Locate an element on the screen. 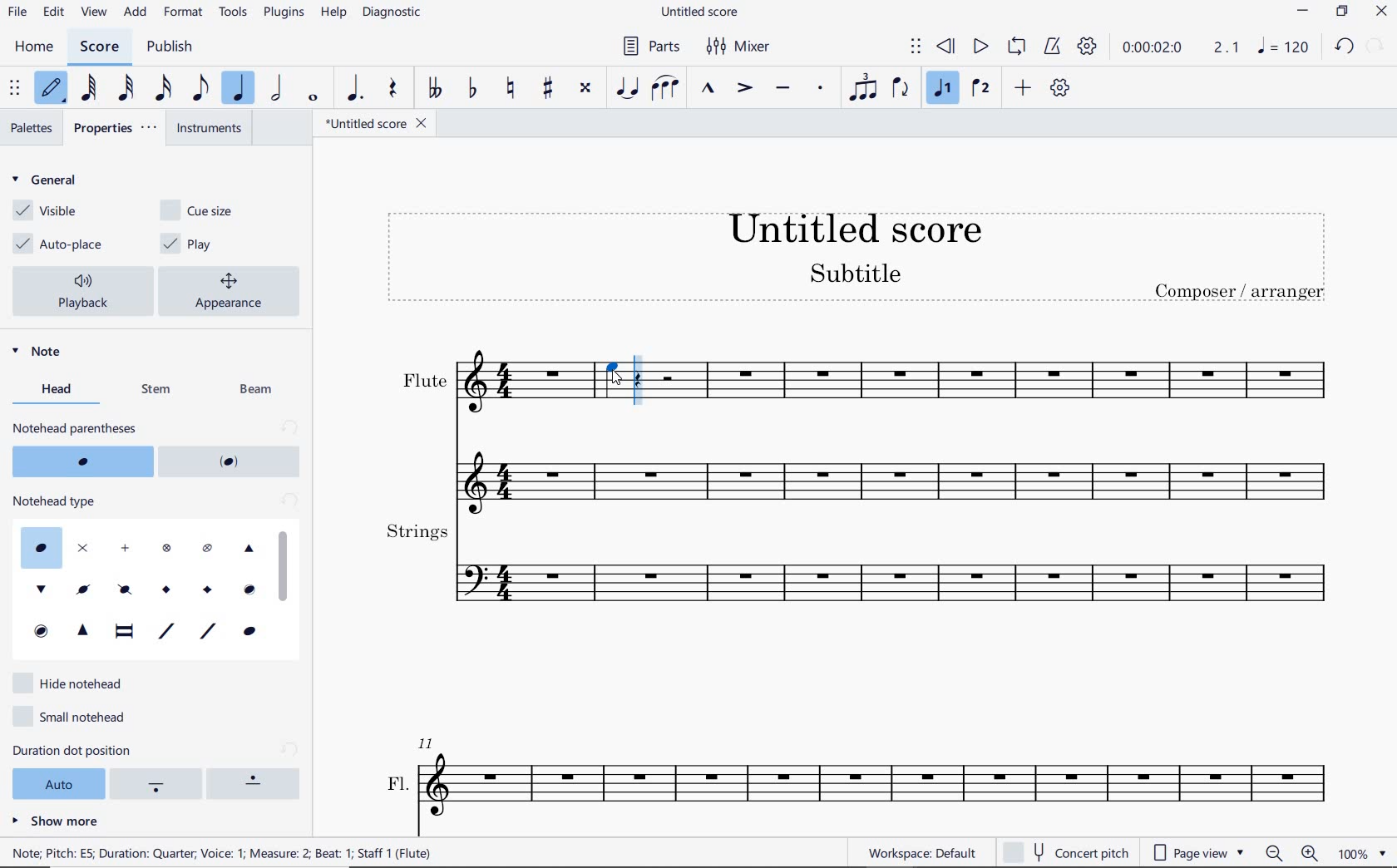 Image resolution: width=1397 pixels, height=868 pixels. NOTEHEAD PARENTHESES is located at coordinates (158, 448).